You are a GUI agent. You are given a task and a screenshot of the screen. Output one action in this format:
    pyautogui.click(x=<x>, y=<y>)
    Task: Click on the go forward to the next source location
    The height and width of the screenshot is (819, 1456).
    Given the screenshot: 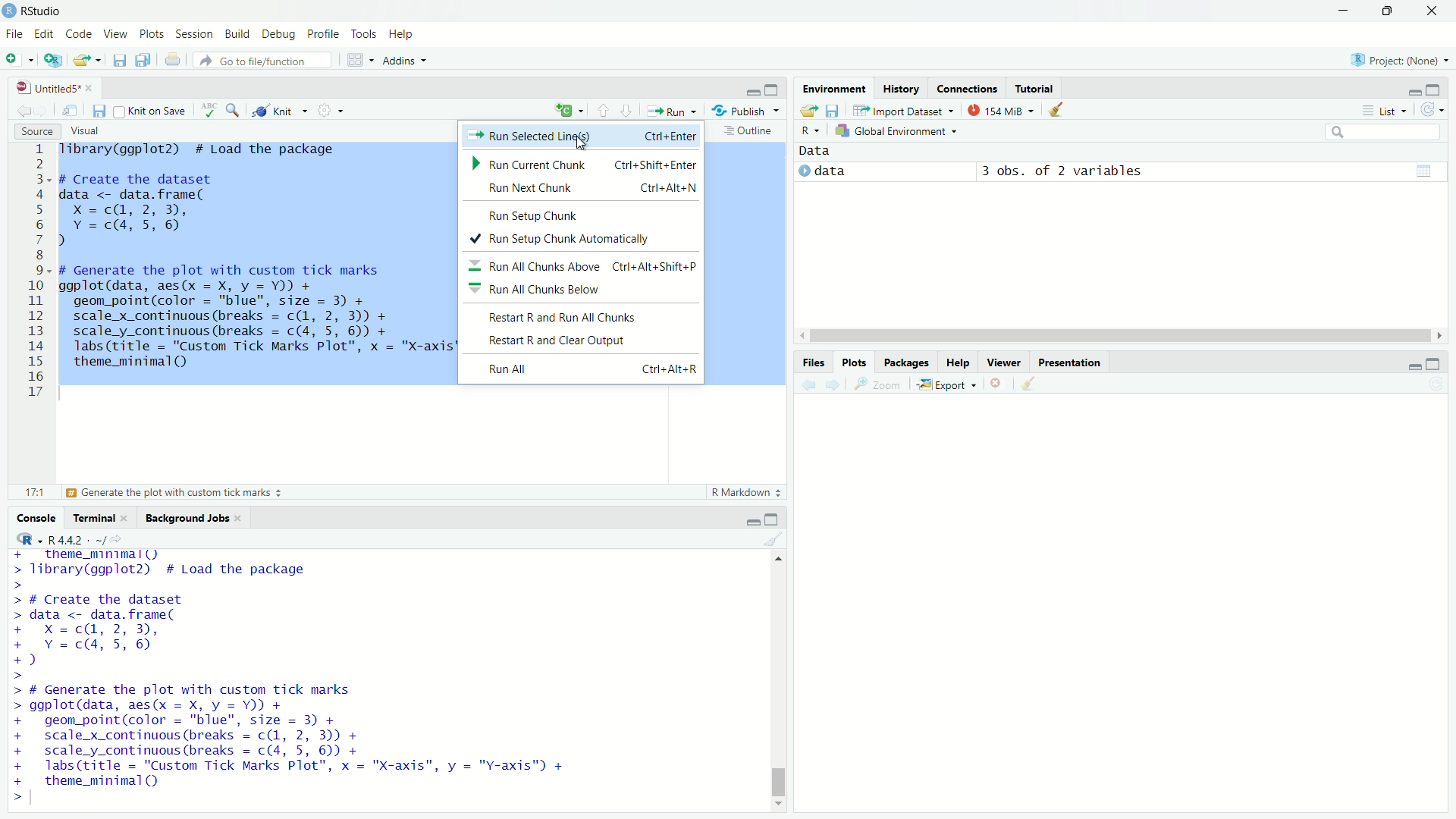 What is the action you would take?
    pyautogui.click(x=45, y=110)
    